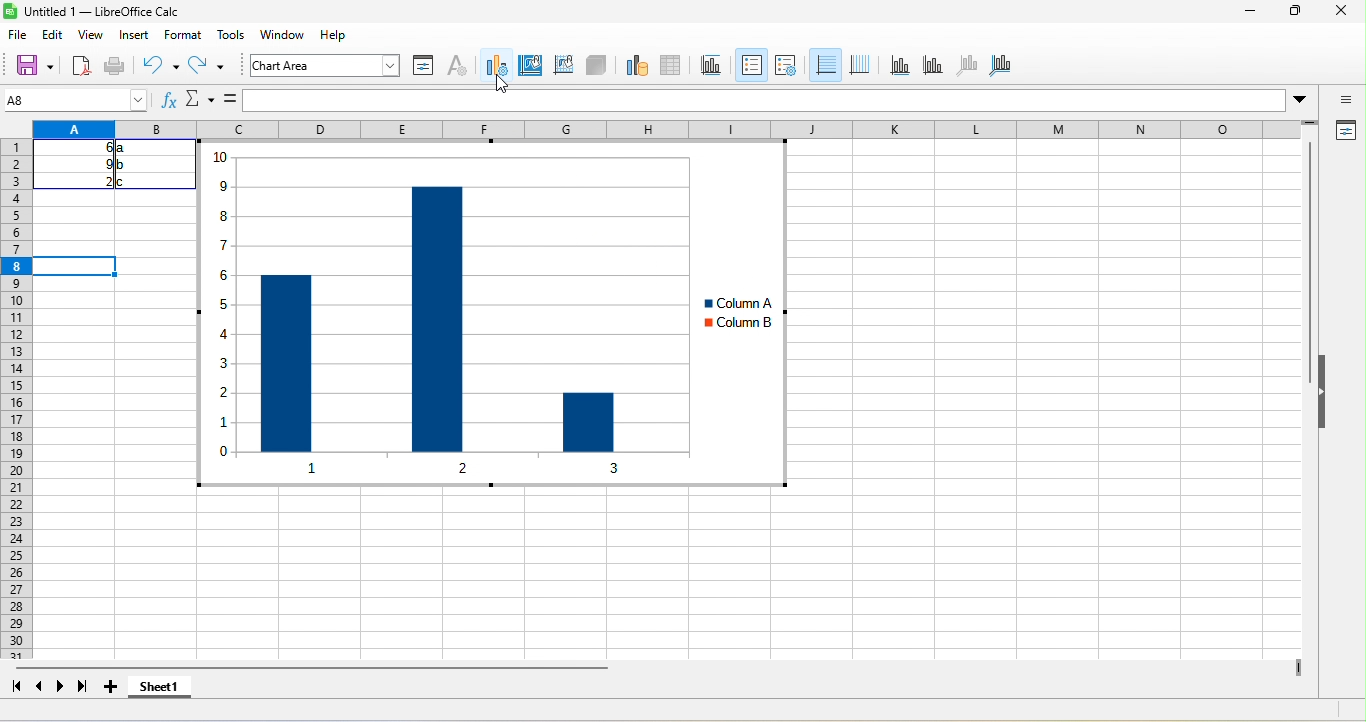 The image size is (1366, 722). What do you see at coordinates (123, 166) in the screenshot?
I see `b` at bounding box center [123, 166].